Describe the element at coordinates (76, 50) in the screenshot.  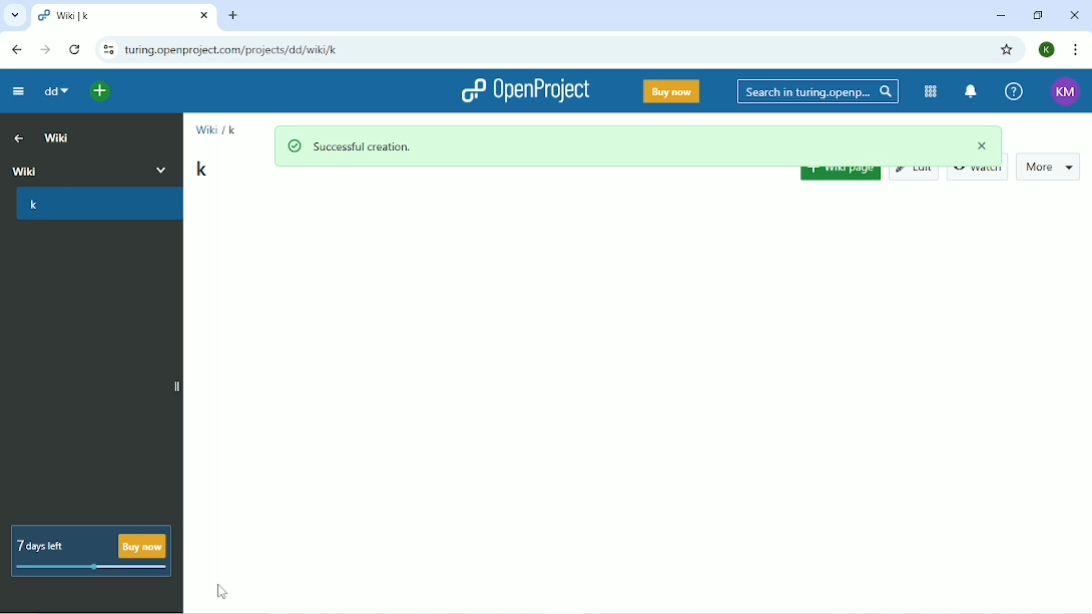
I see `Reload this page` at that location.